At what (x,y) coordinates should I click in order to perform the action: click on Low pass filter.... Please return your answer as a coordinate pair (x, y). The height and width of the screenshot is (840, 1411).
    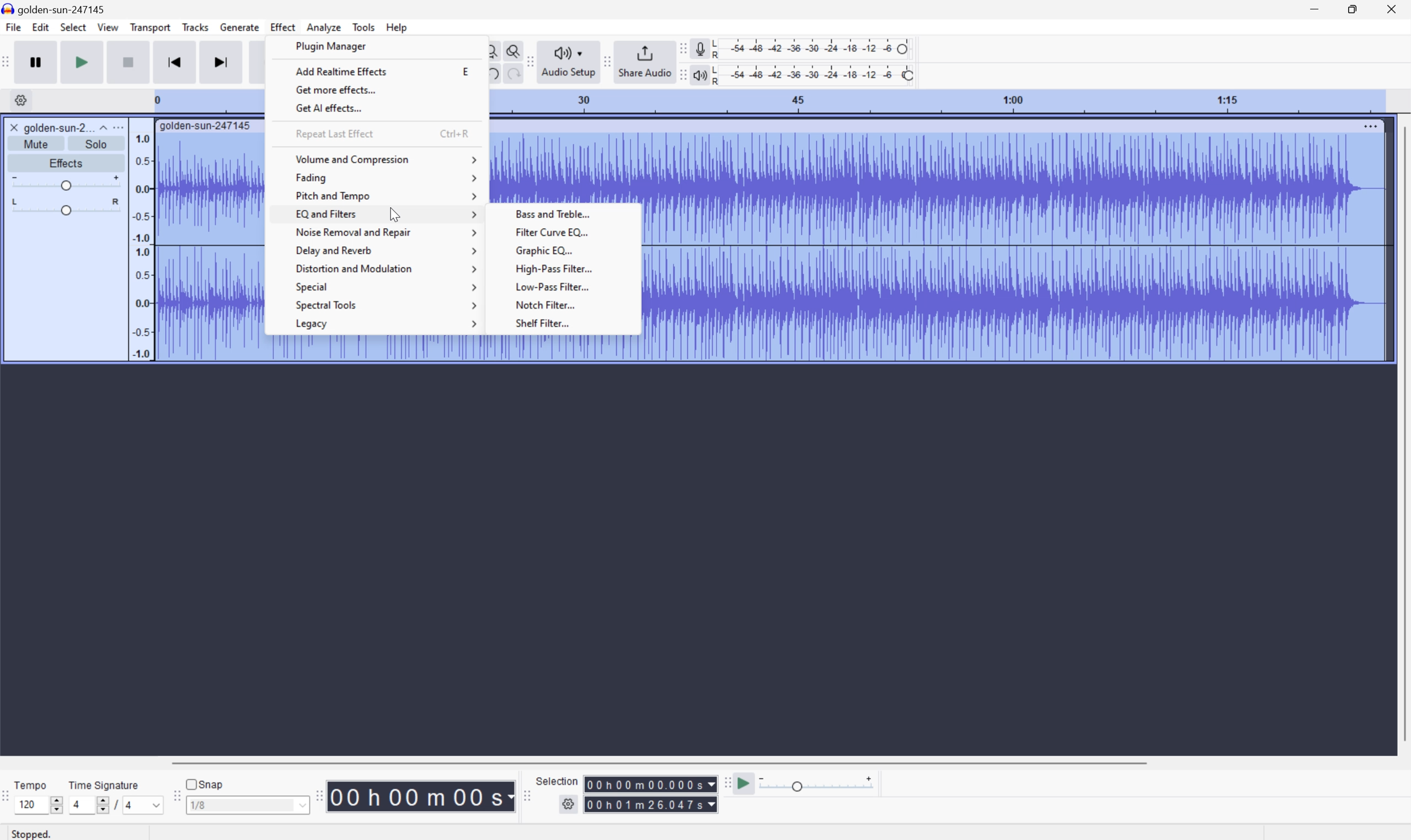
    Looking at the image, I should click on (573, 286).